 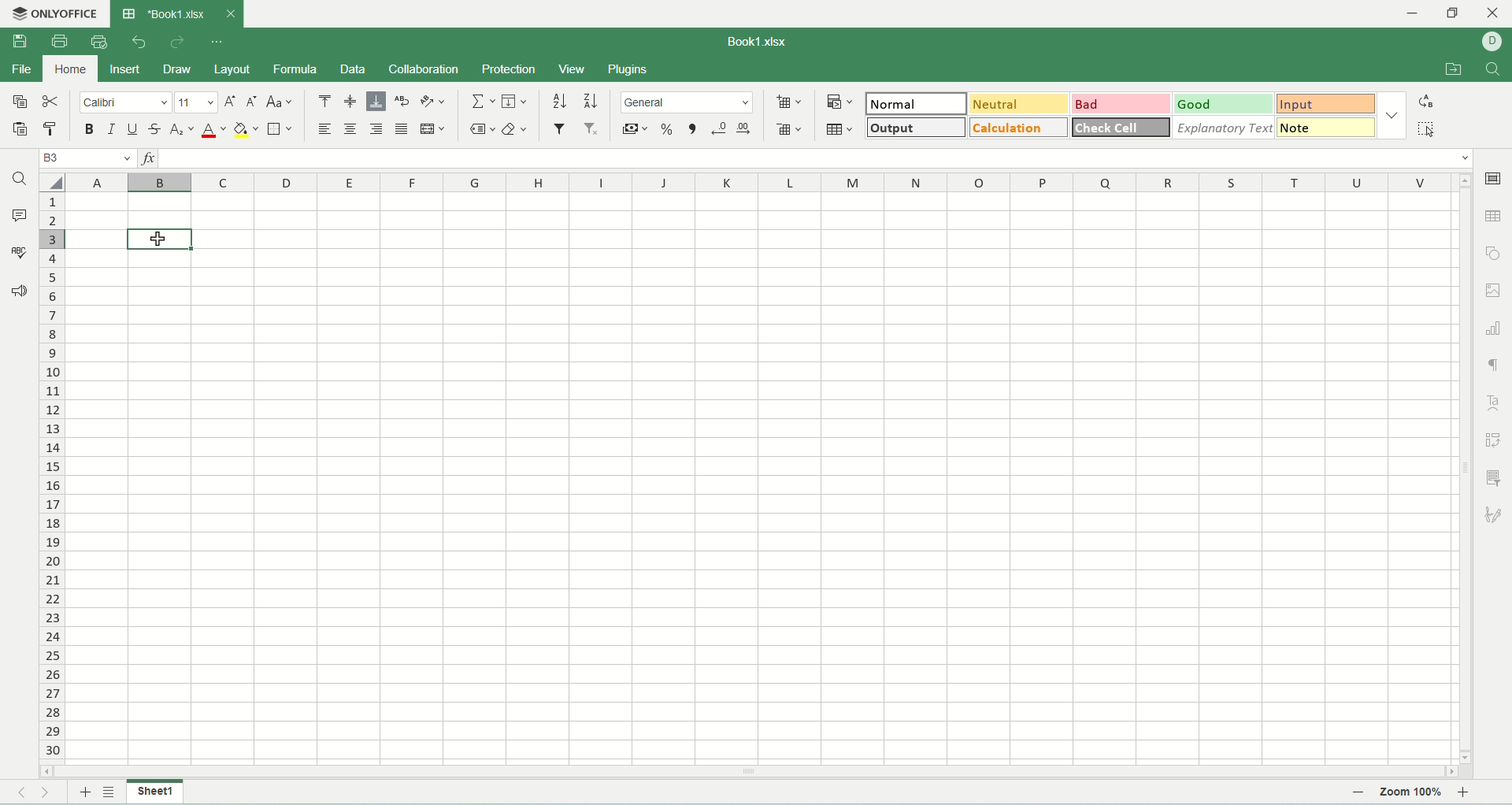 What do you see at coordinates (125, 71) in the screenshot?
I see `insert` at bounding box center [125, 71].